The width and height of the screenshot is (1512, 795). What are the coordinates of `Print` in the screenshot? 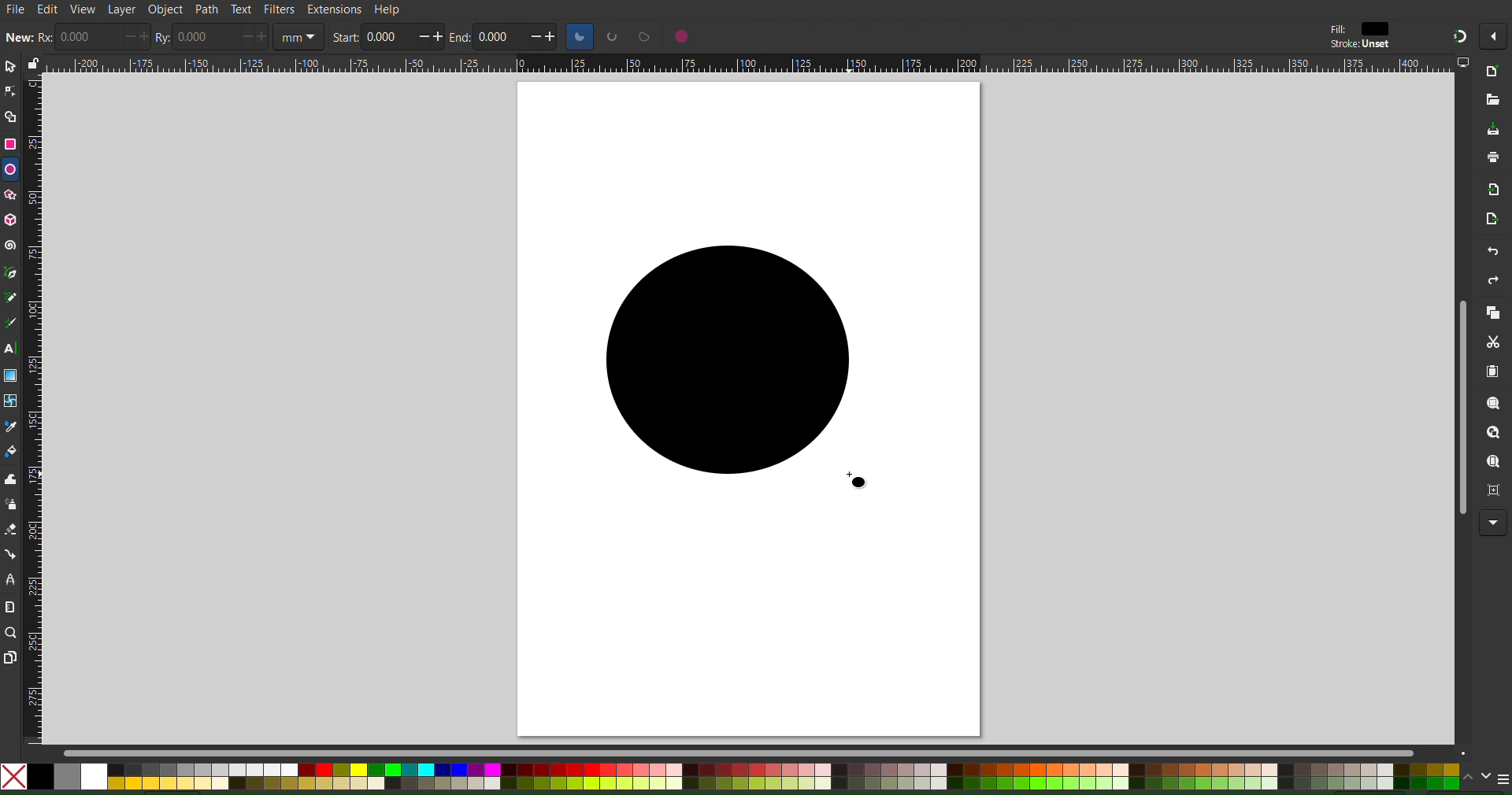 It's located at (1492, 159).